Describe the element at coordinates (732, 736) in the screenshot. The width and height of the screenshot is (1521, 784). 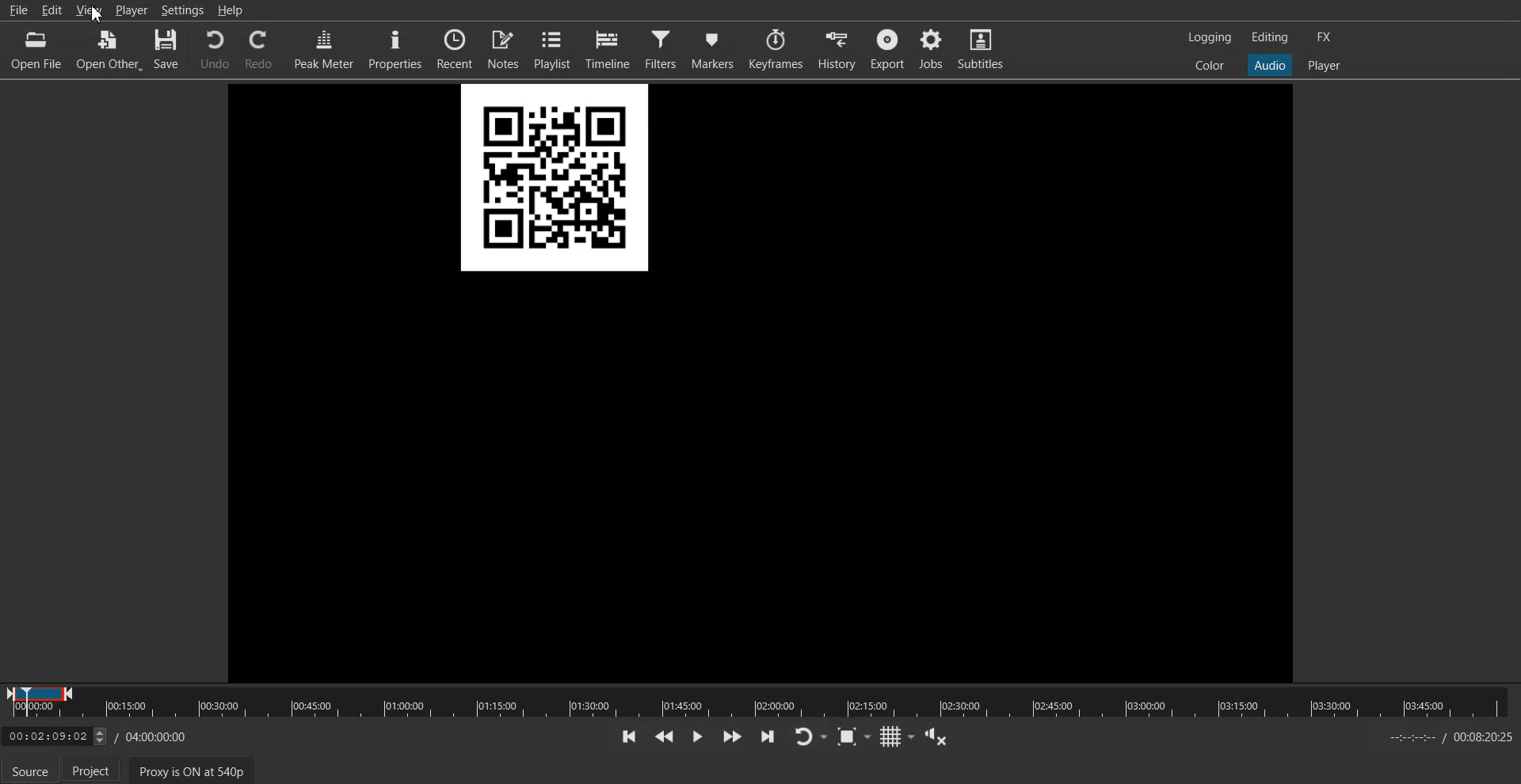
I see `Play Quickly forwards` at that location.